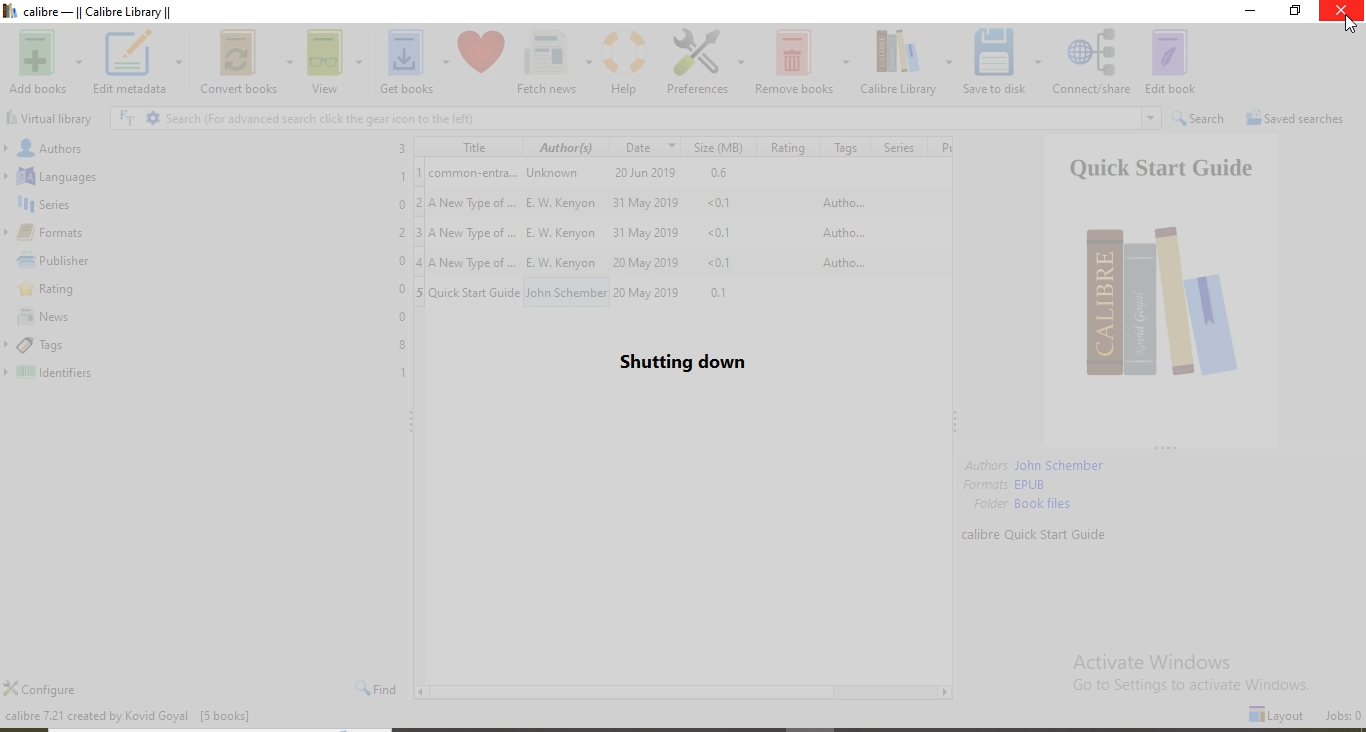 The height and width of the screenshot is (732, 1366). Describe the element at coordinates (1170, 62) in the screenshot. I see `Edit book` at that location.